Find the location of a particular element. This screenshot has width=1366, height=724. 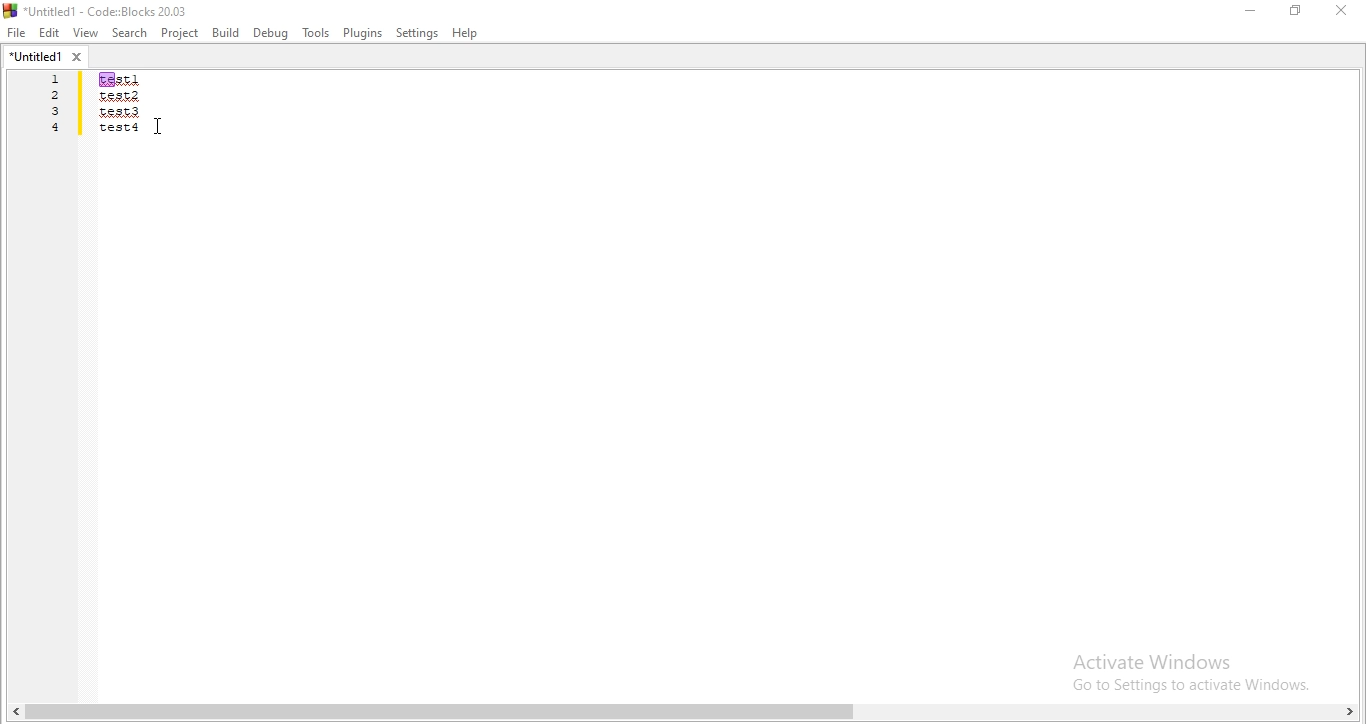

Cursor is located at coordinates (161, 127).